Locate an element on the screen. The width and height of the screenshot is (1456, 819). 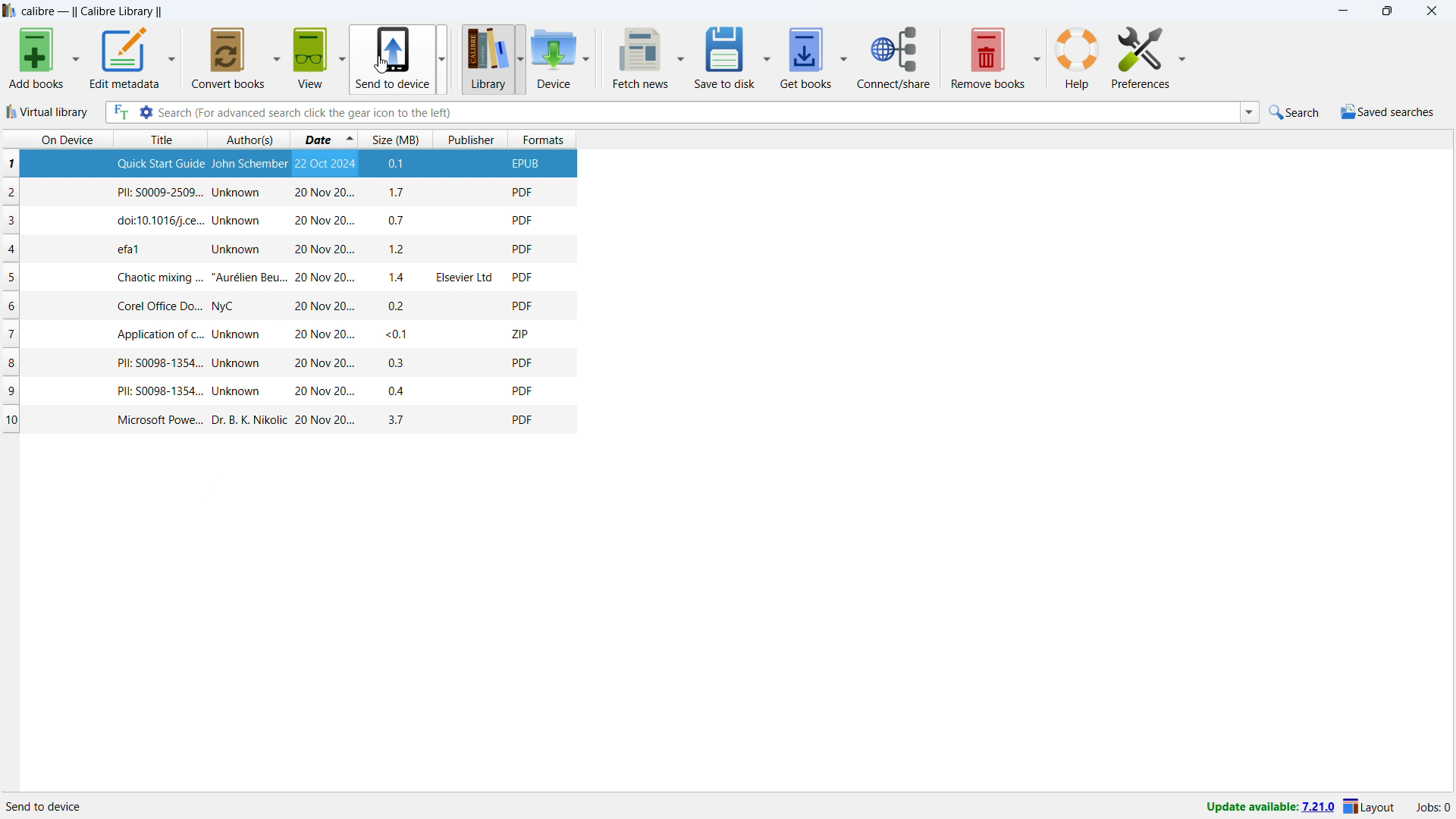
send to device options is located at coordinates (442, 57).